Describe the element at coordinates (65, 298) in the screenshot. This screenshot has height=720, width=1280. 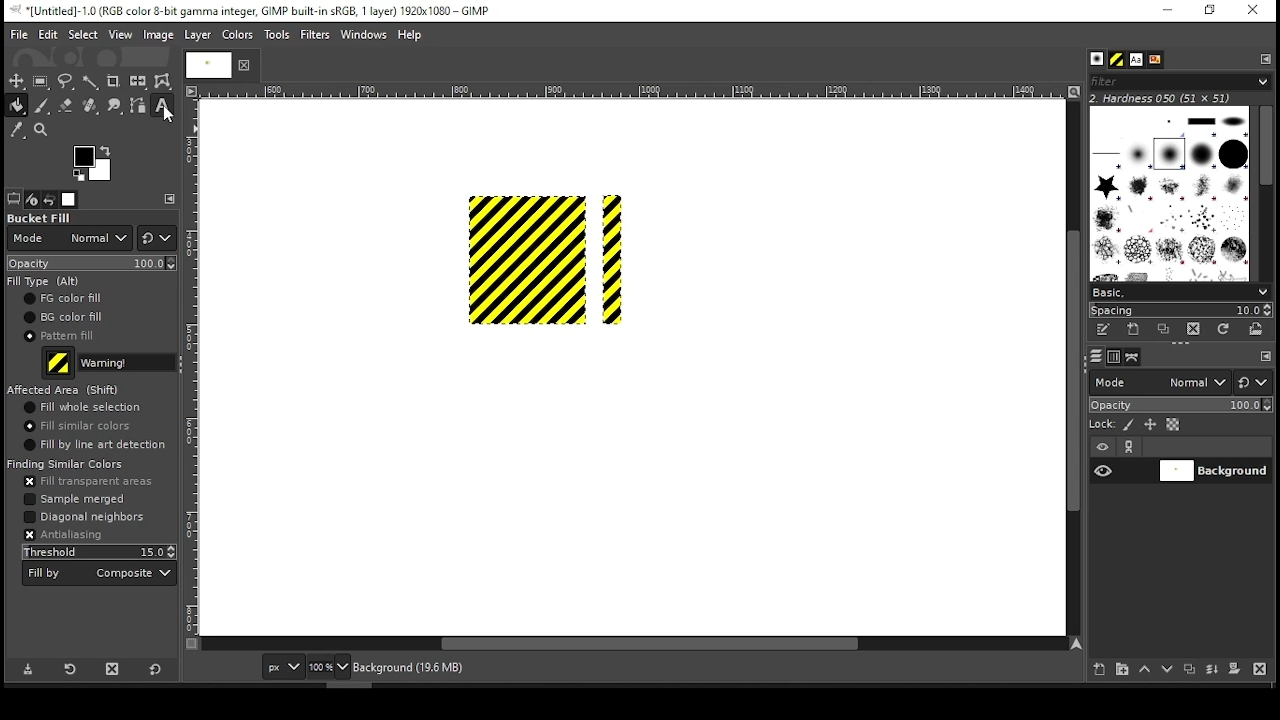
I see `foreground fill color` at that location.